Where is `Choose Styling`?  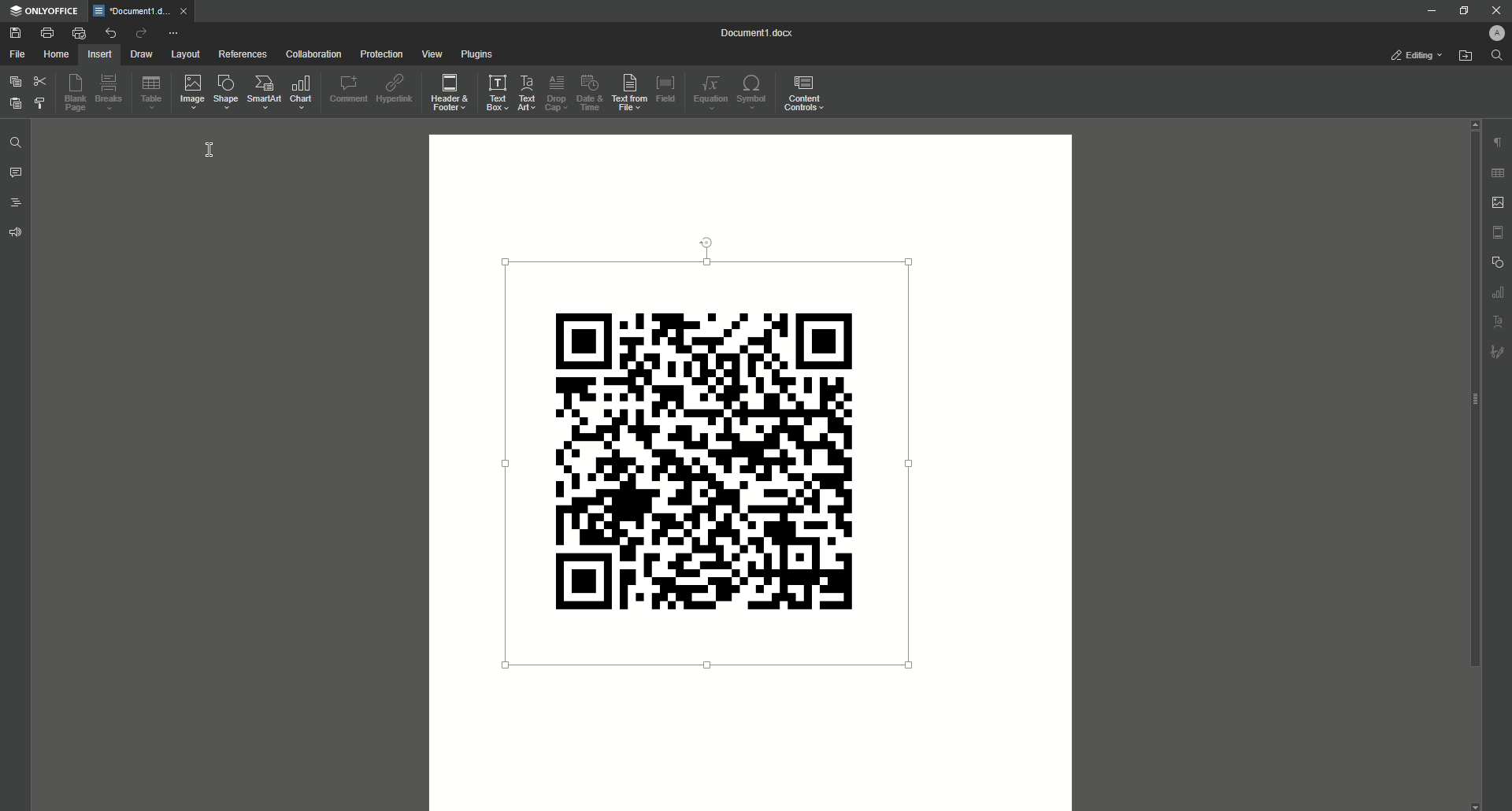
Choose Styling is located at coordinates (41, 103).